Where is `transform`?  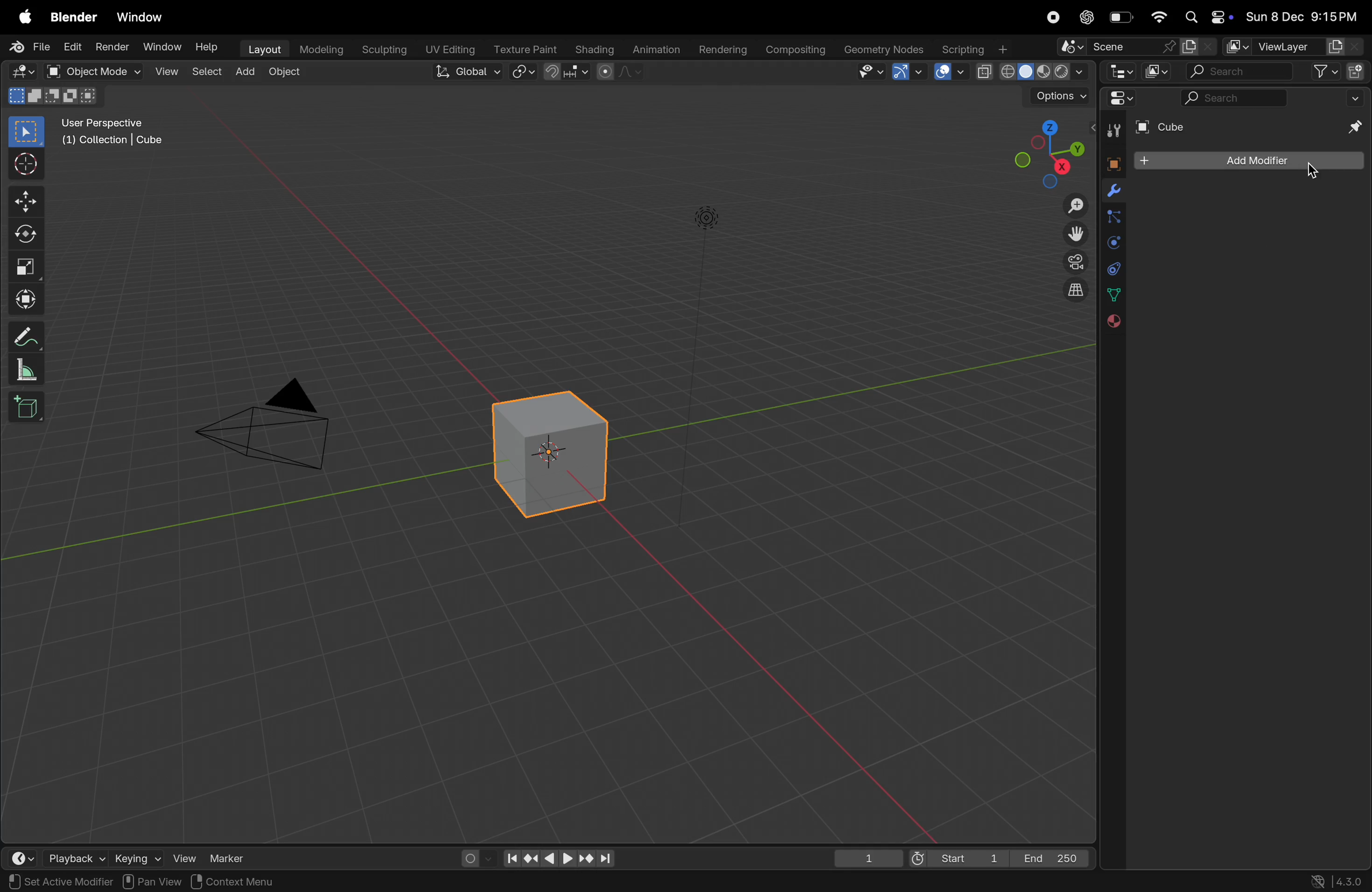
transform is located at coordinates (26, 298).